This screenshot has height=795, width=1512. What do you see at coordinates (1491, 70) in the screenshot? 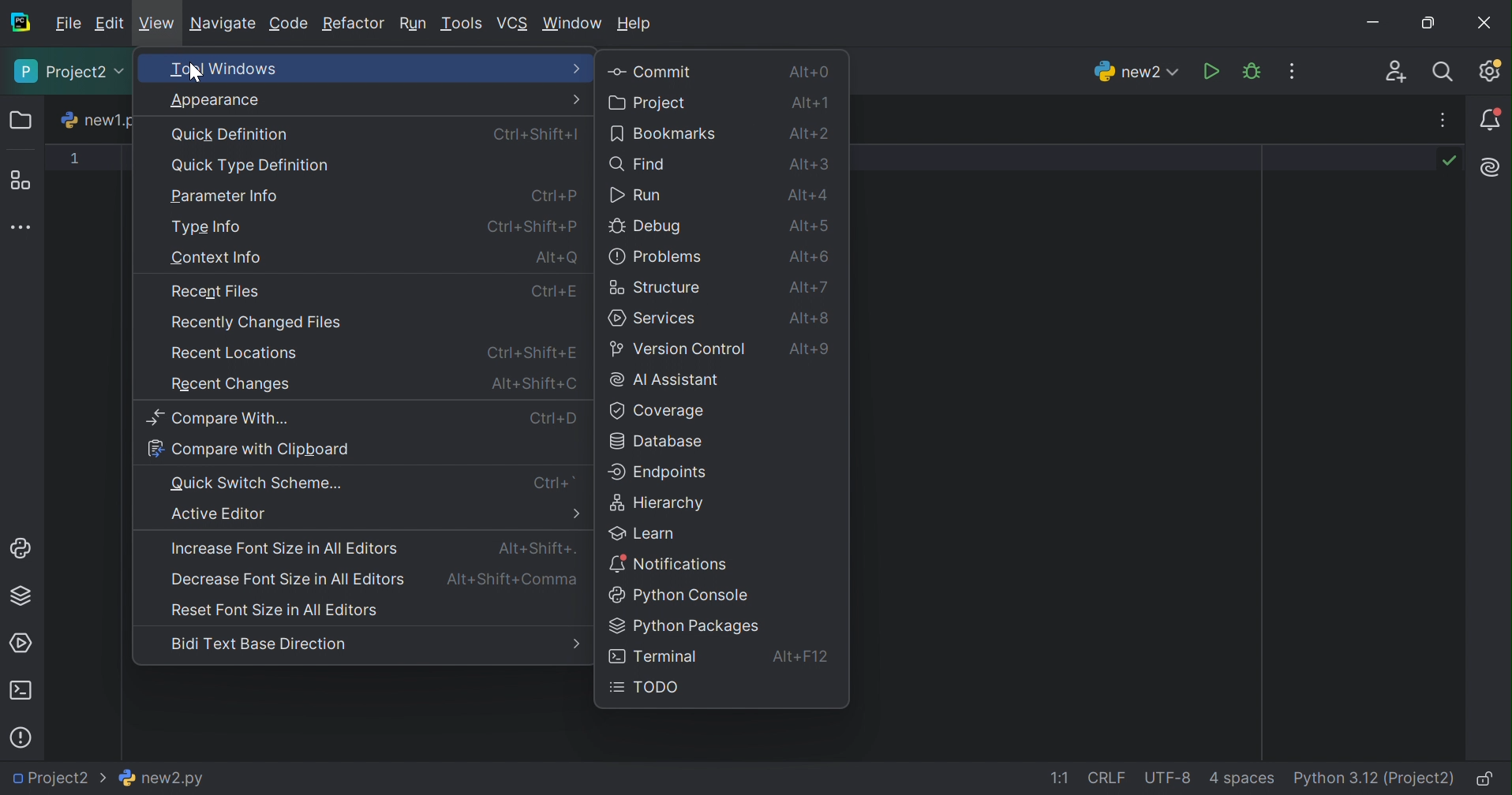
I see `Updates available. IDE and Project Settings` at bounding box center [1491, 70].